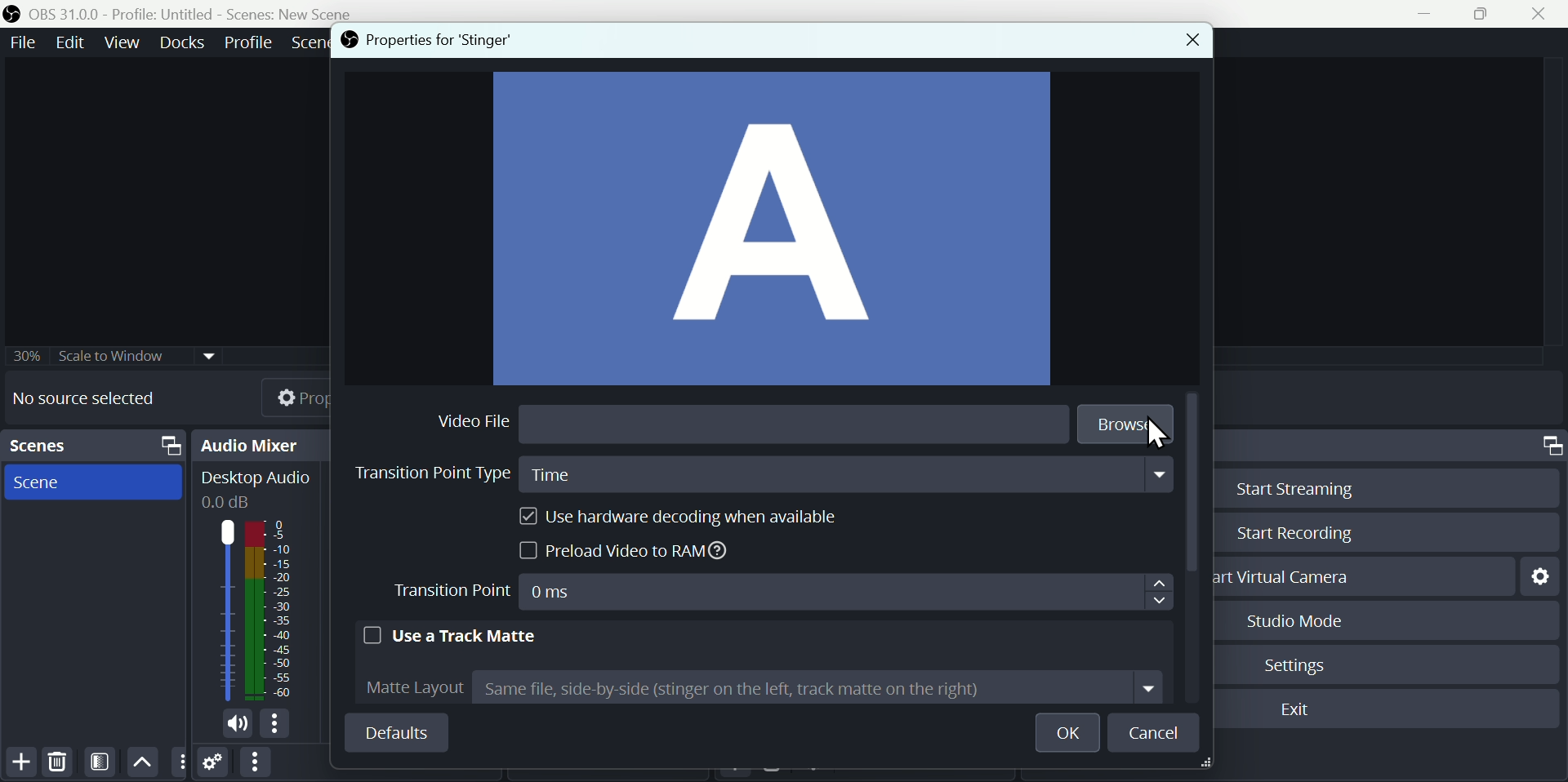  What do you see at coordinates (254, 763) in the screenshot?
I see `More options` at bounding box center [254, 763].